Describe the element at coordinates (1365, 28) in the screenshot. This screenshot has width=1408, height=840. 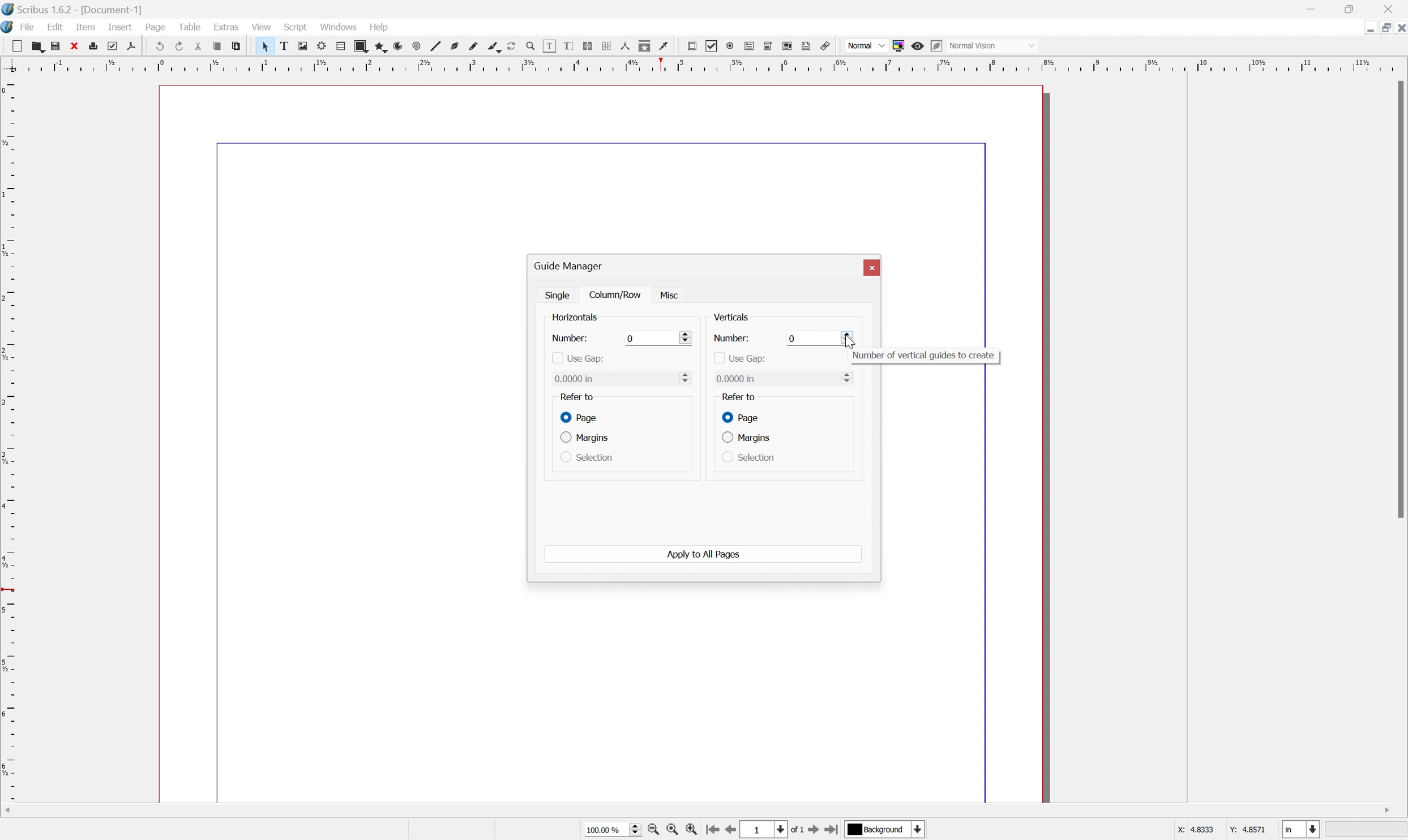
I see `minimize` at that location.